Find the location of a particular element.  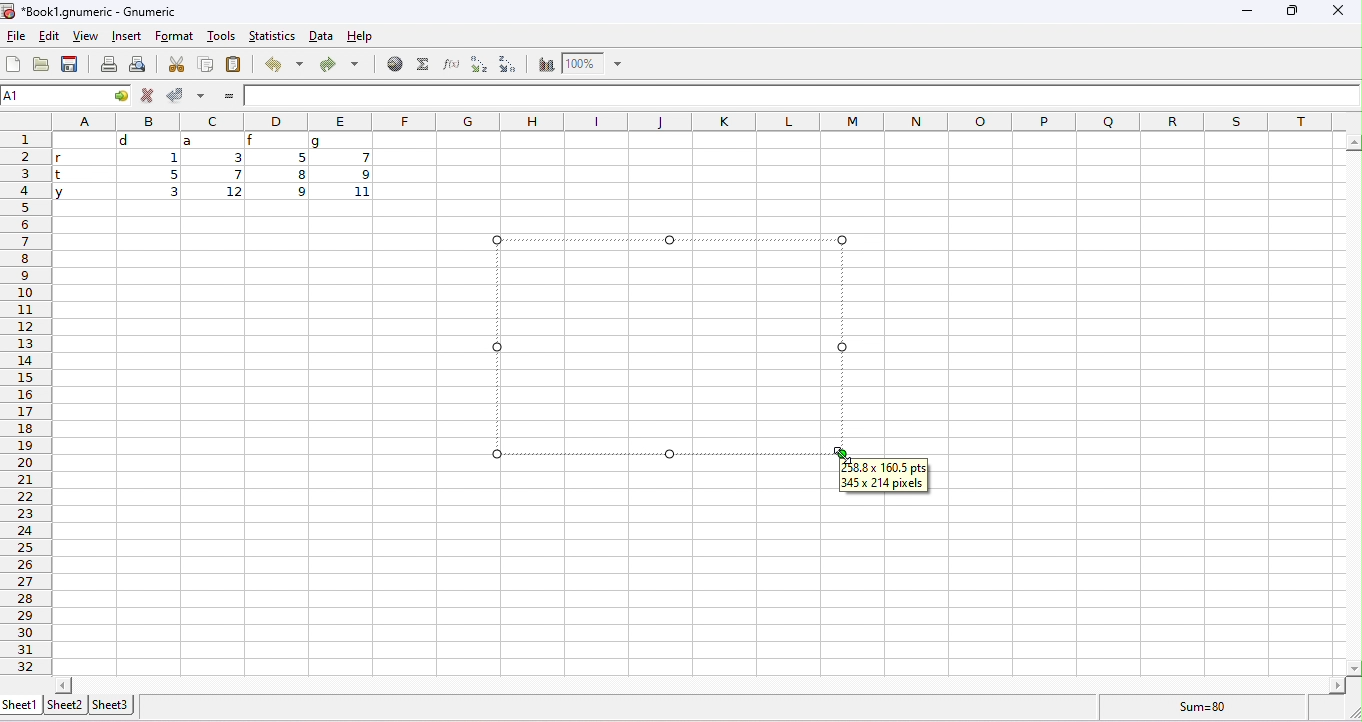

hyperlink is located at coordinates (392, 63).